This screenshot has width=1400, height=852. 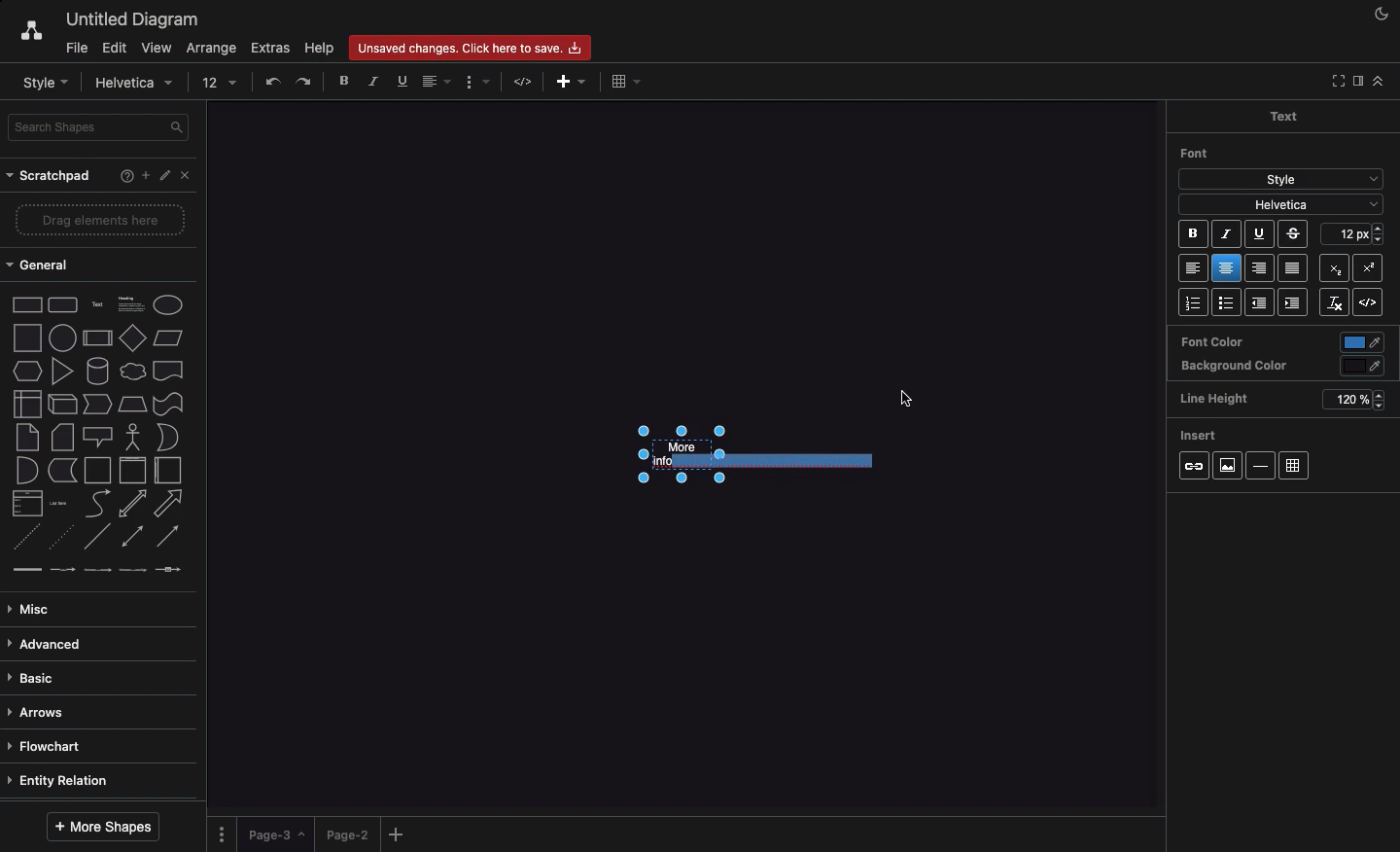 What do you see at coordinates (131, 536) in the screenshot?
I see `bidirectional connector ` at bounding box center [131, 536].